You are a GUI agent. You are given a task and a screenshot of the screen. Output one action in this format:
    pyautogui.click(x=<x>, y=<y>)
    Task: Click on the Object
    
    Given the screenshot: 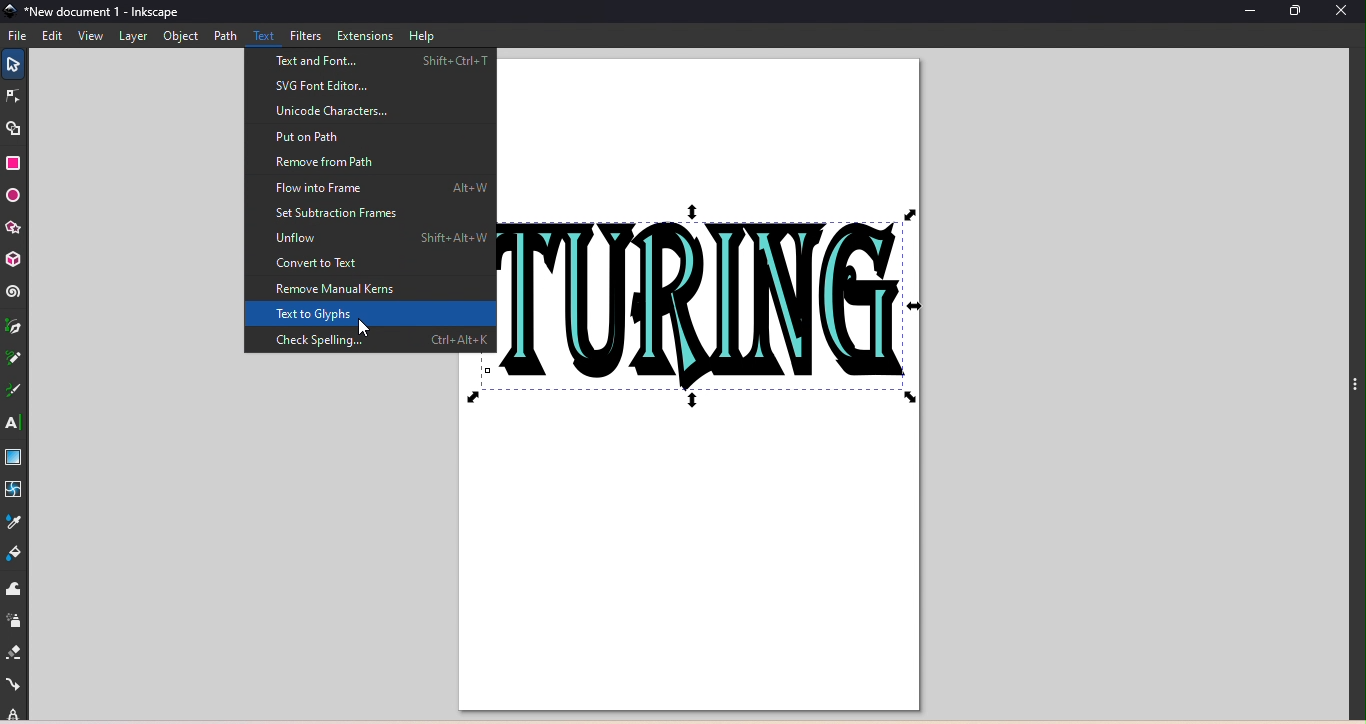 What is the action you would take?
    pyautogui.click(x=181, y=37)
    